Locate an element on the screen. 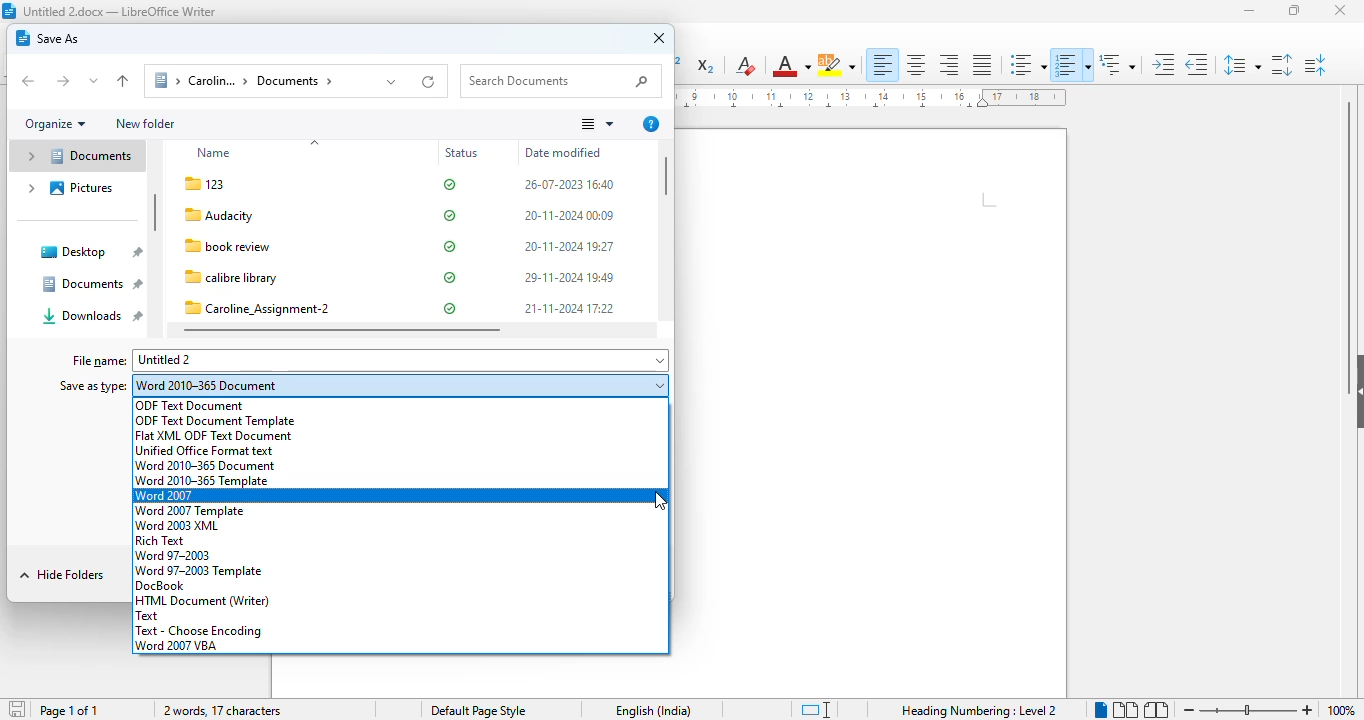 The width and height of the screenshot is (1364, 720). word 2010-365 template is located at coordinates (204, 481).